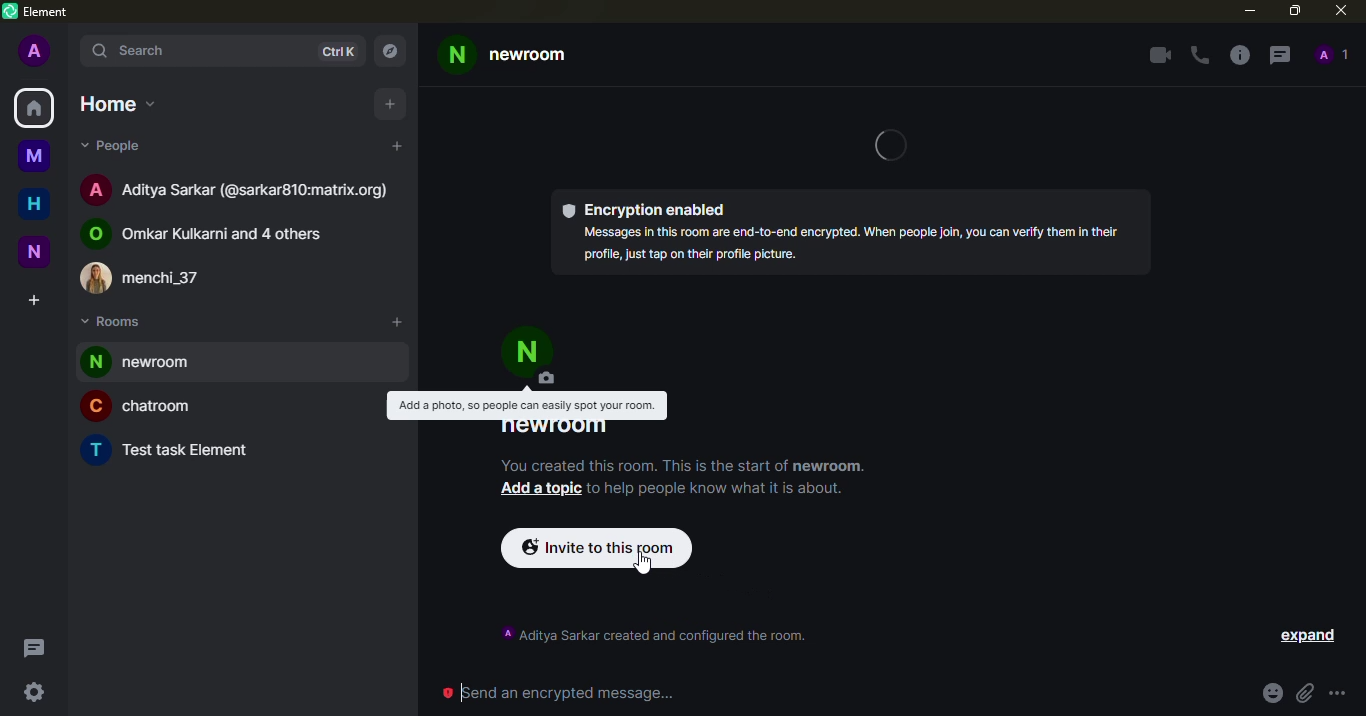 The height and width of the screenshot is (716, 1366). Describe the element at coordinates (889, 144) in the screenshot. I see `loading` at that location.